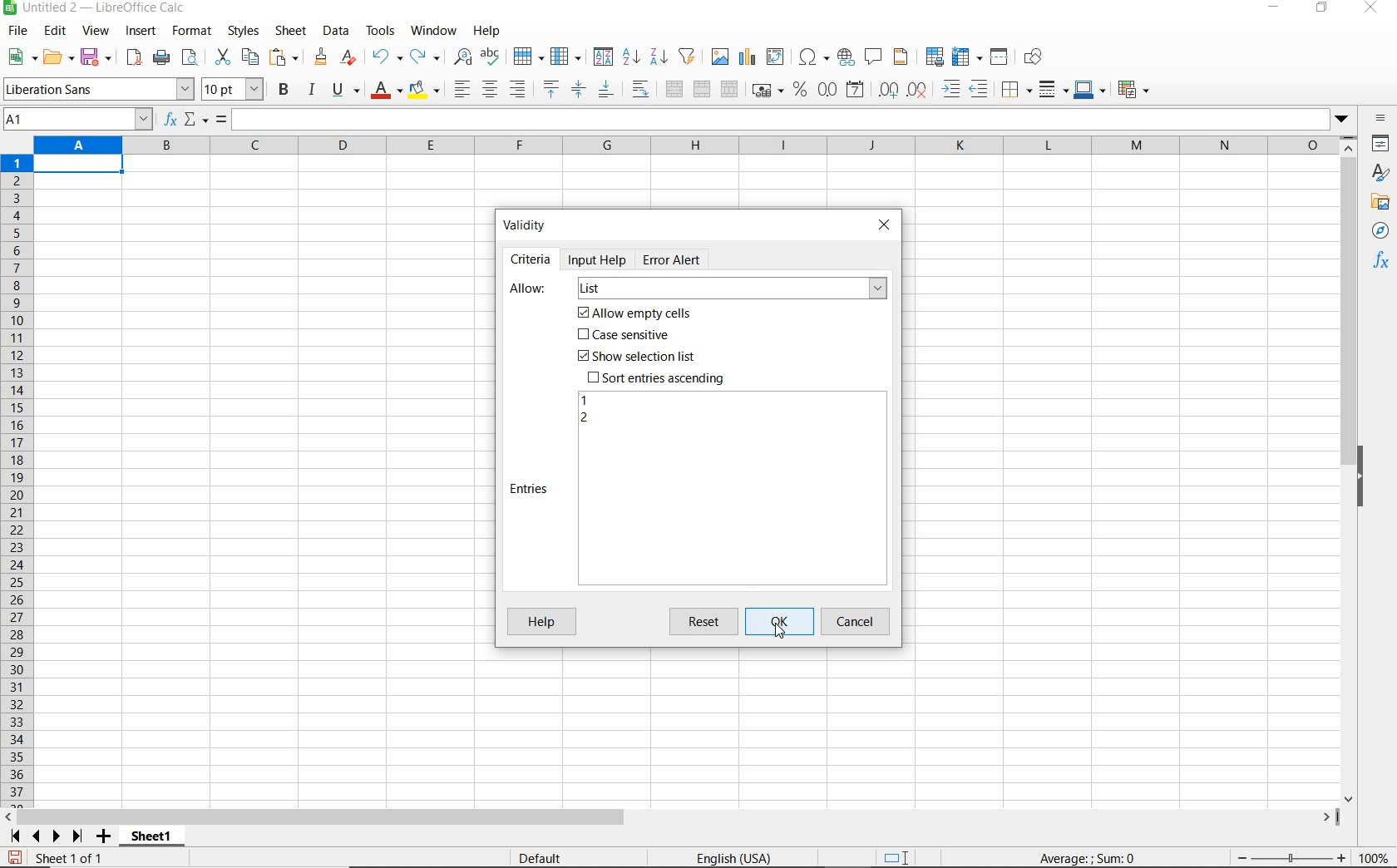 The image size is (1397, 868). I want to click on Case sensitive, so click(625, 336).